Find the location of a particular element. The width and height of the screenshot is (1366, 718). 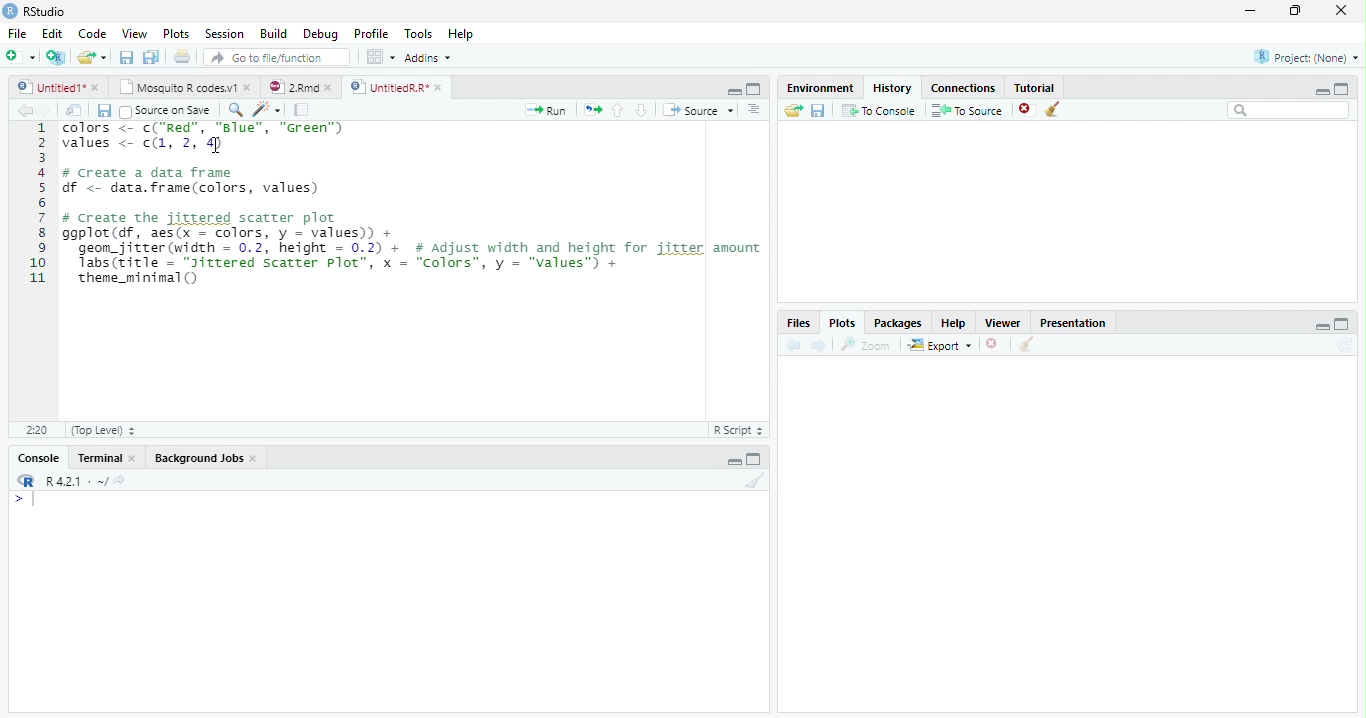

Maximize is located at coordinates (1342, 324).